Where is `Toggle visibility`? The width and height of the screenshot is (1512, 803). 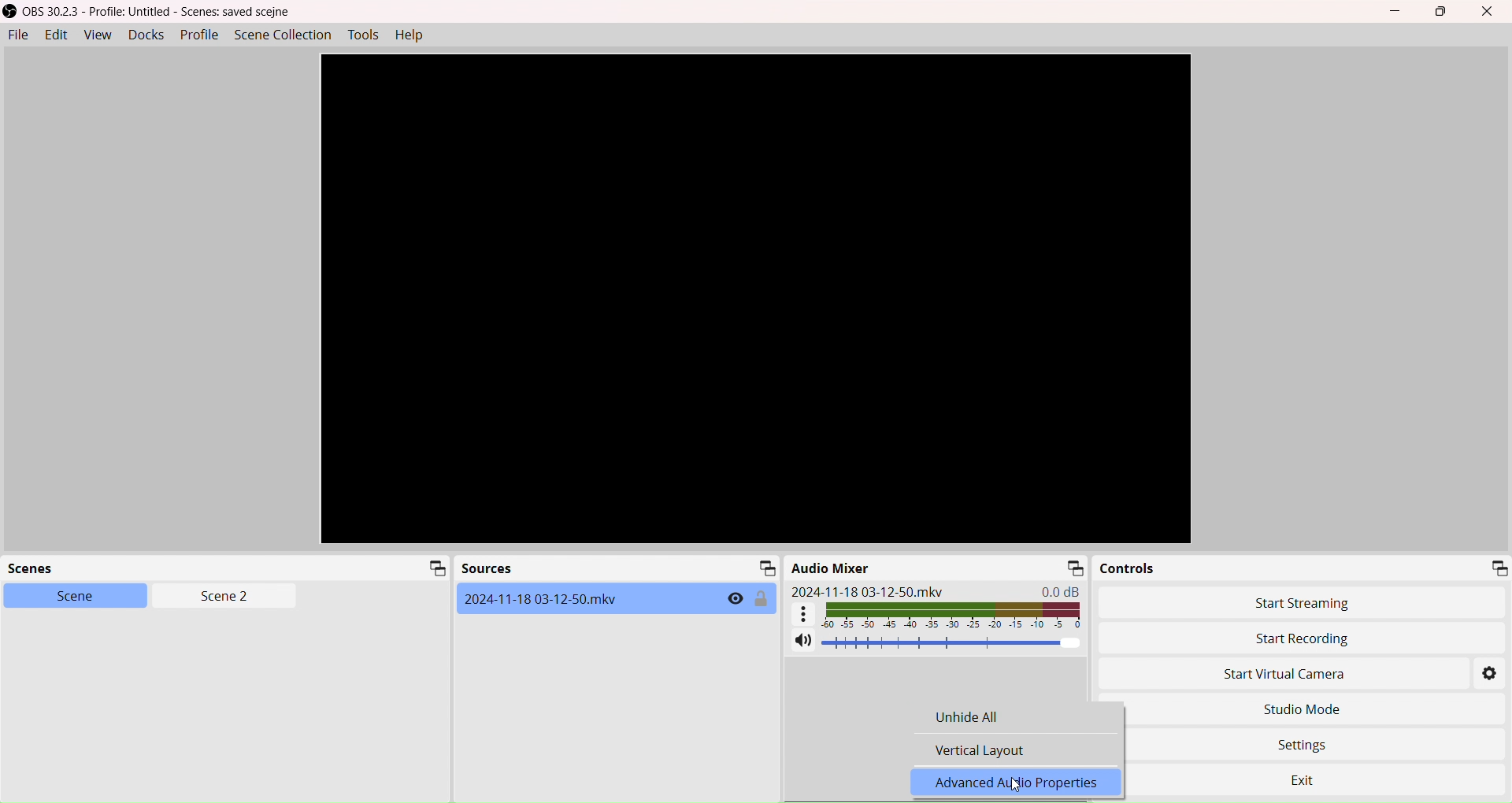 Toggle visibility is located at coordinates (735, 599).